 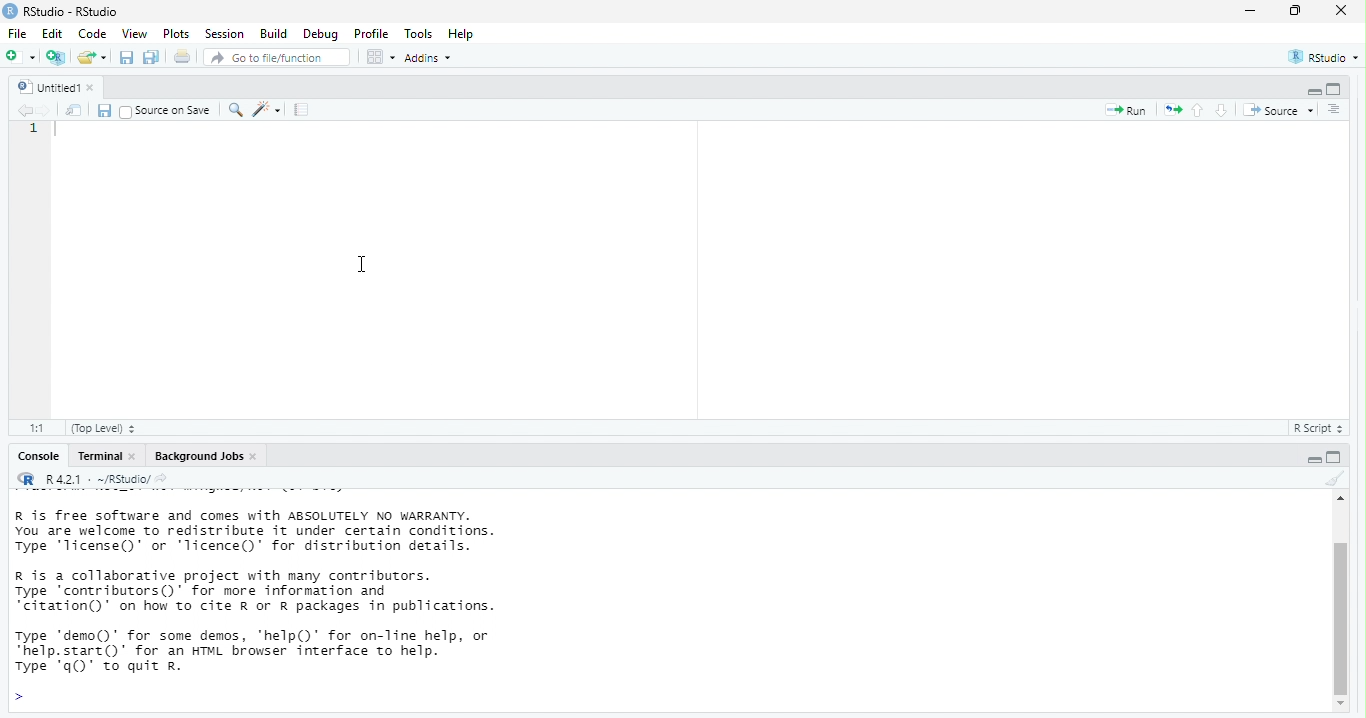 I want to click on save all documents, so click(x=152, y=57).